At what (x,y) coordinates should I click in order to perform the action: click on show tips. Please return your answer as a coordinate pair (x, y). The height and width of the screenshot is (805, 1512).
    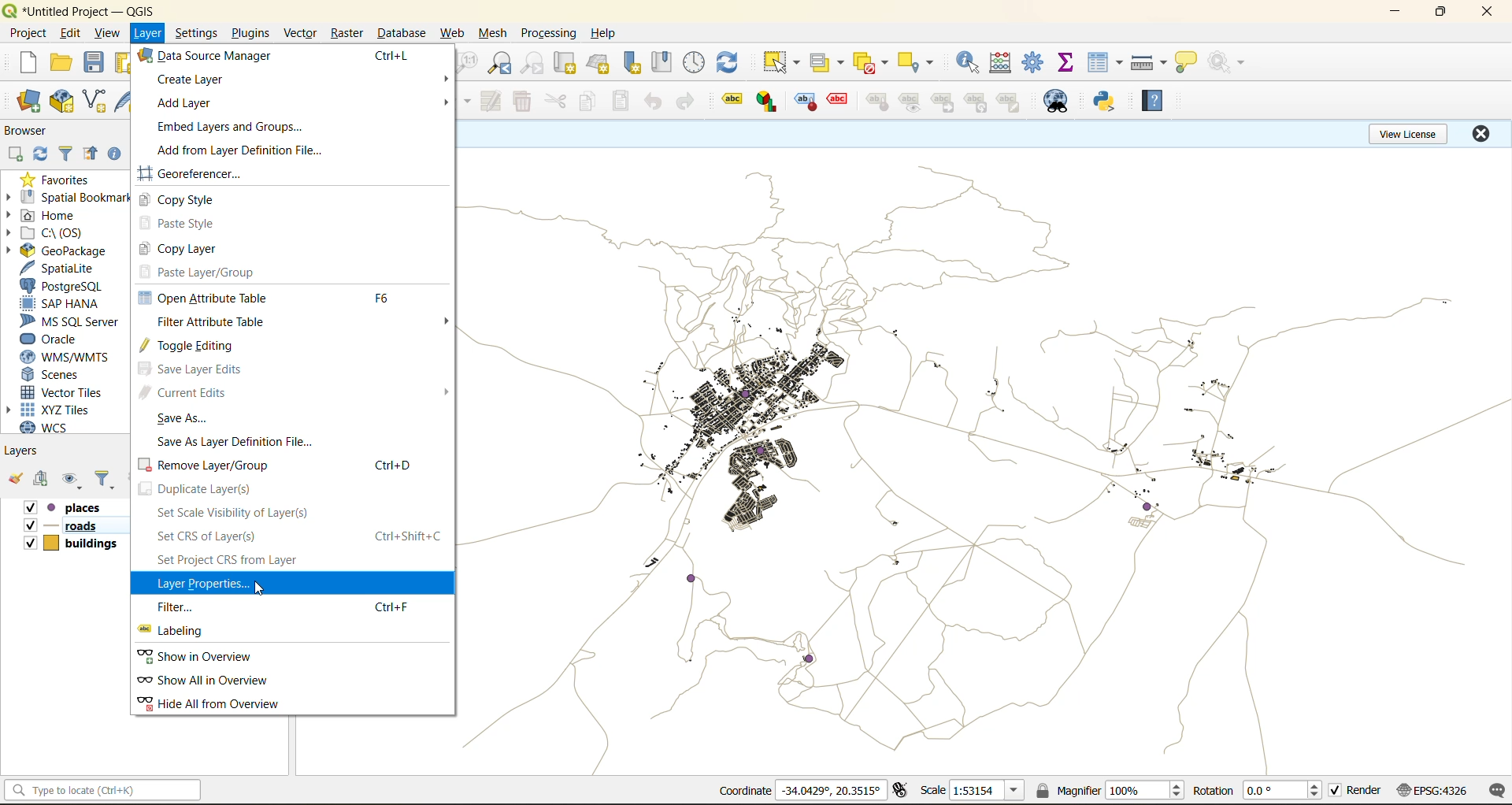
    Looking at the image, I should click on (1188, 61).